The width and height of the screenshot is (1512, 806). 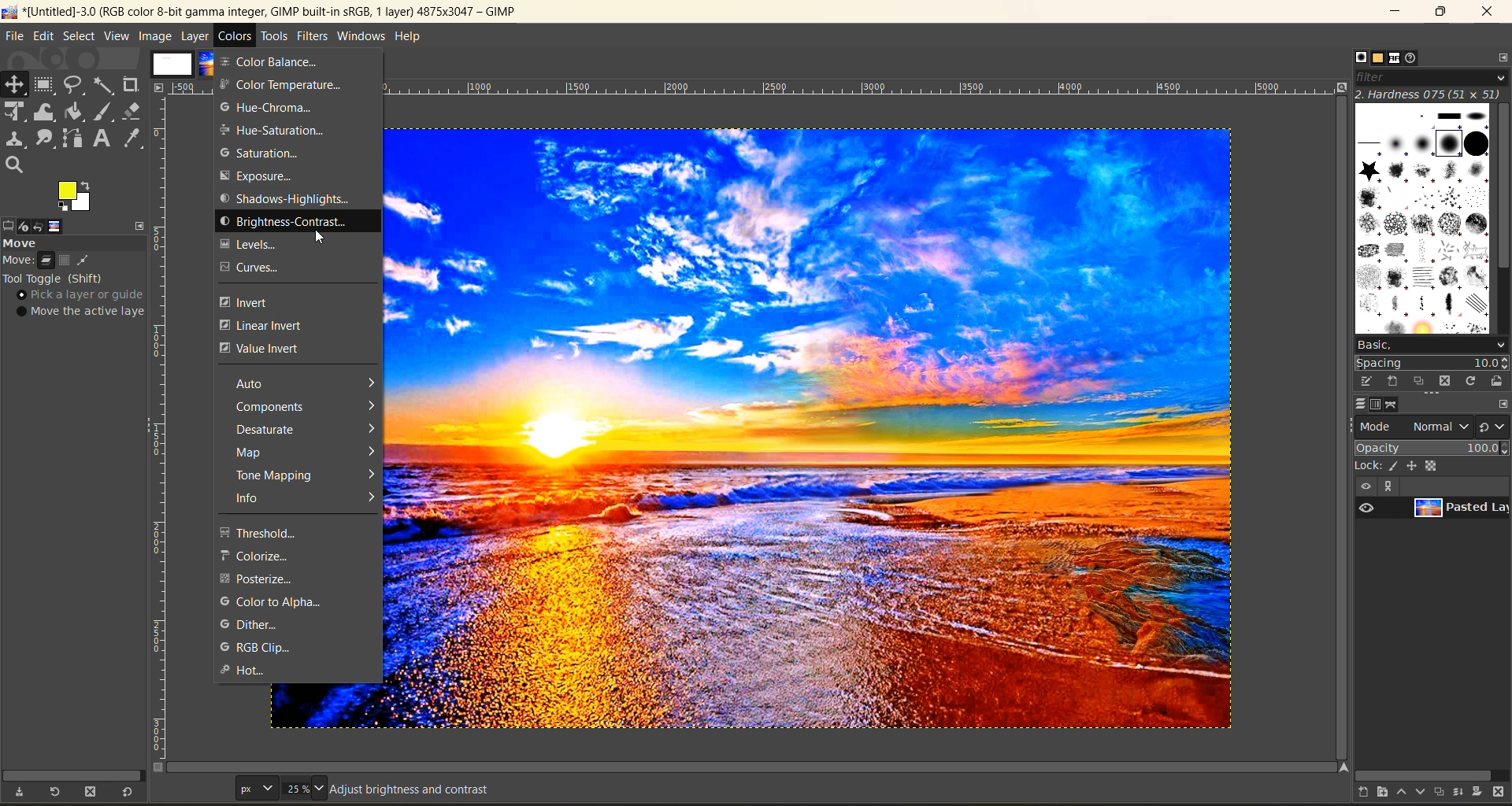 What do you see at coordinates (285, 198) in the screenshot?
I see `shadows highlights` at bounding box center [285, 198].